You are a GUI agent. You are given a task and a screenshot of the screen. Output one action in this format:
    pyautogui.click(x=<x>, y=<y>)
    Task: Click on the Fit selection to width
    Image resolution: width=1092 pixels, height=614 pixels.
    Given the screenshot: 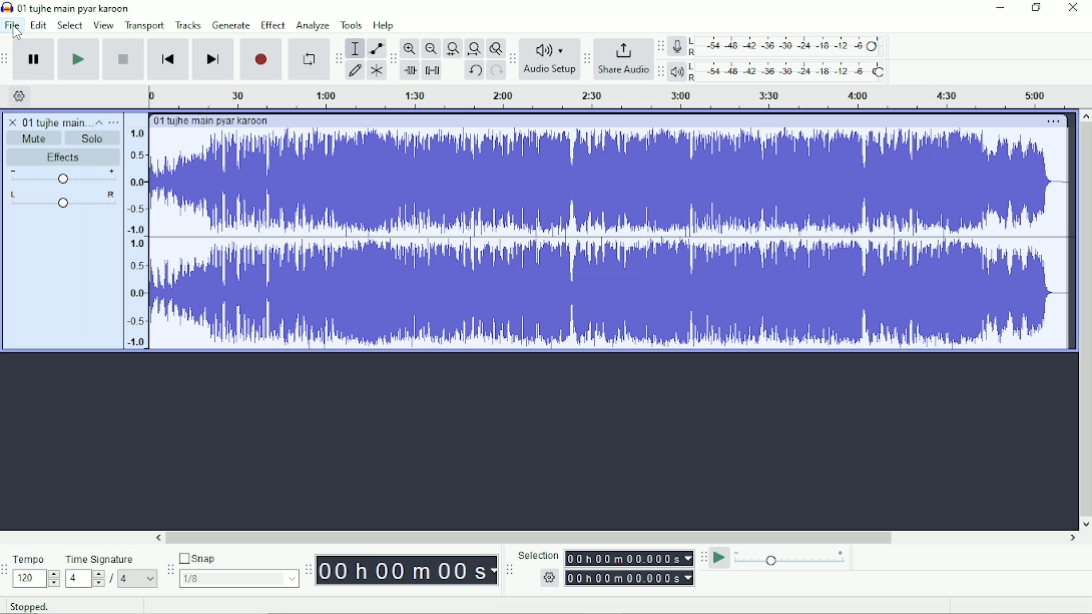 What is the action you would take?
    pyautogui.click(x=453, y=47)
    